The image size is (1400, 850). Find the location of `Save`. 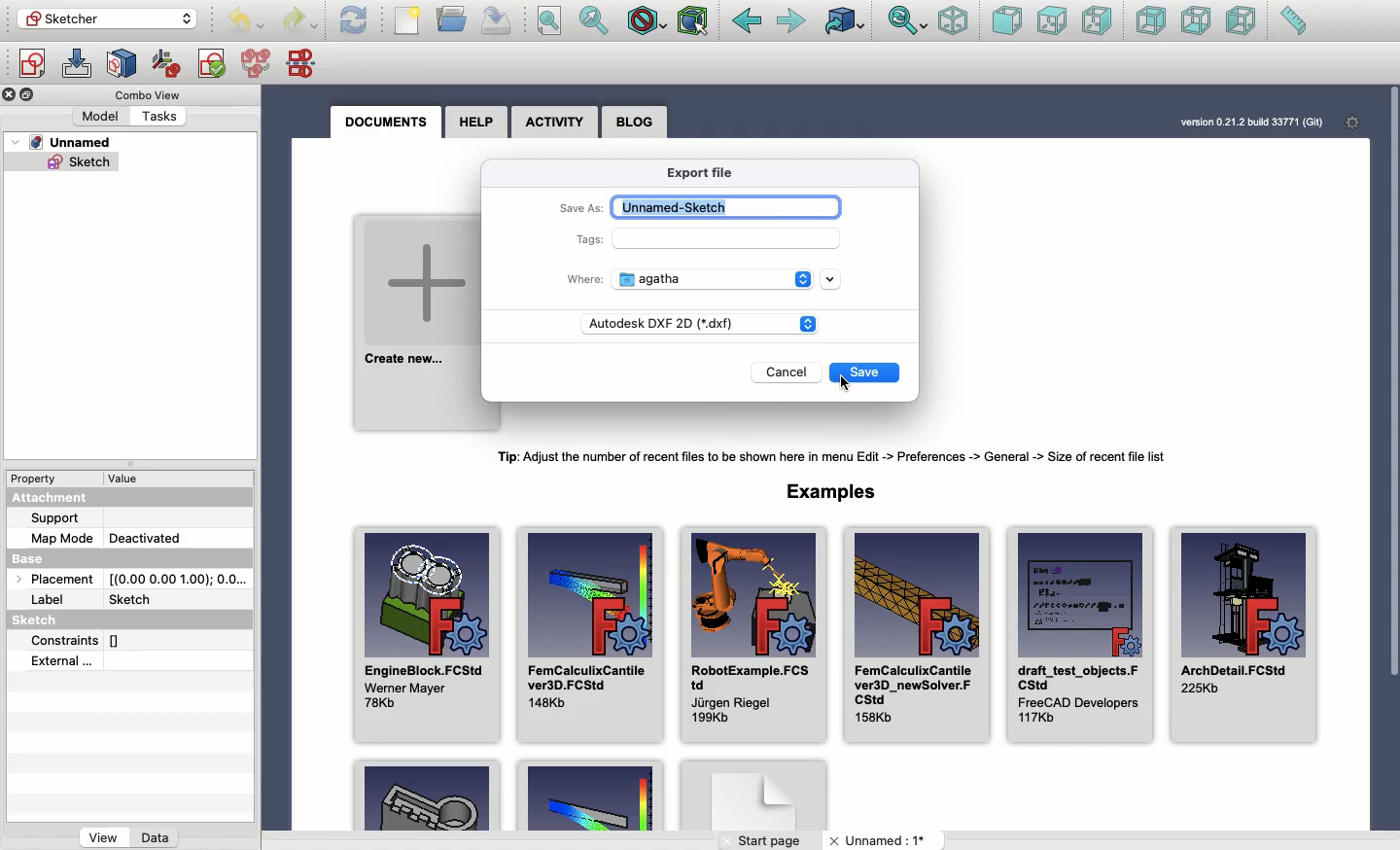

Save is located at coordinates (864, 373).